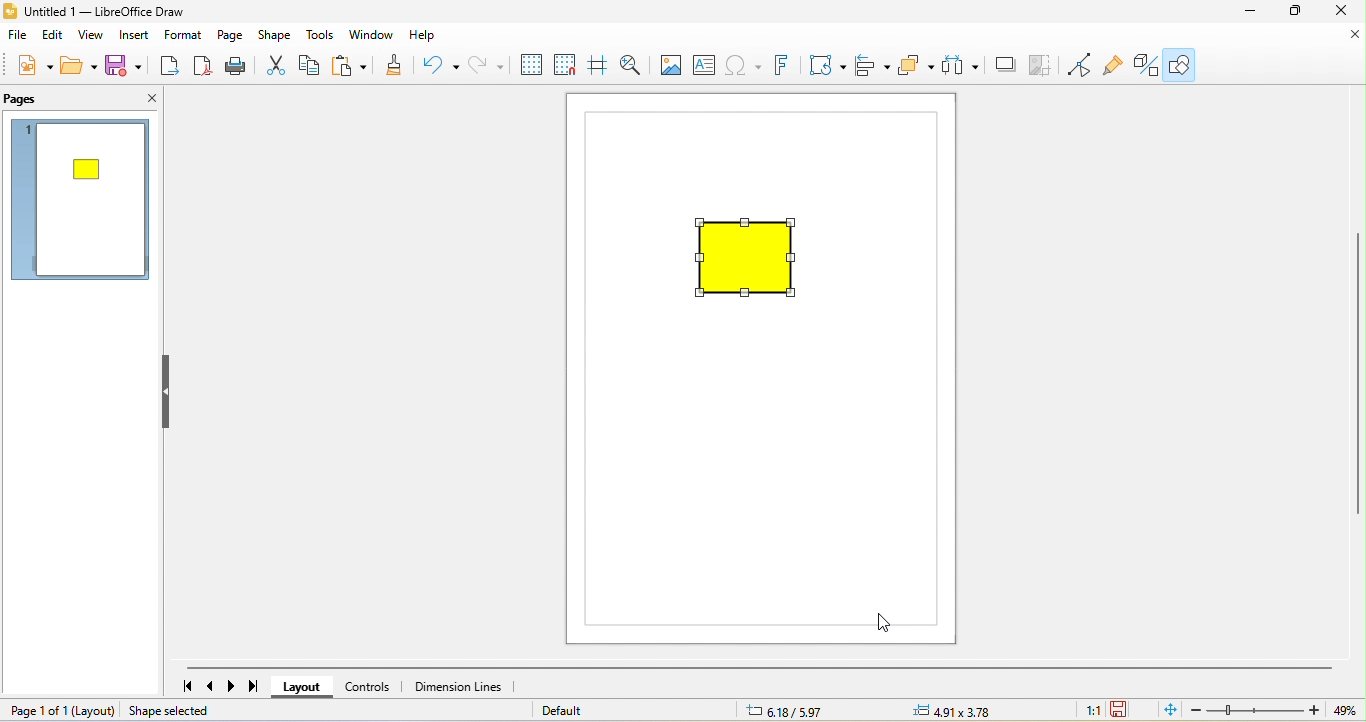 This screenshot has height=722, width=1366. I want to click on page 1 of 1, so click(33, 712).